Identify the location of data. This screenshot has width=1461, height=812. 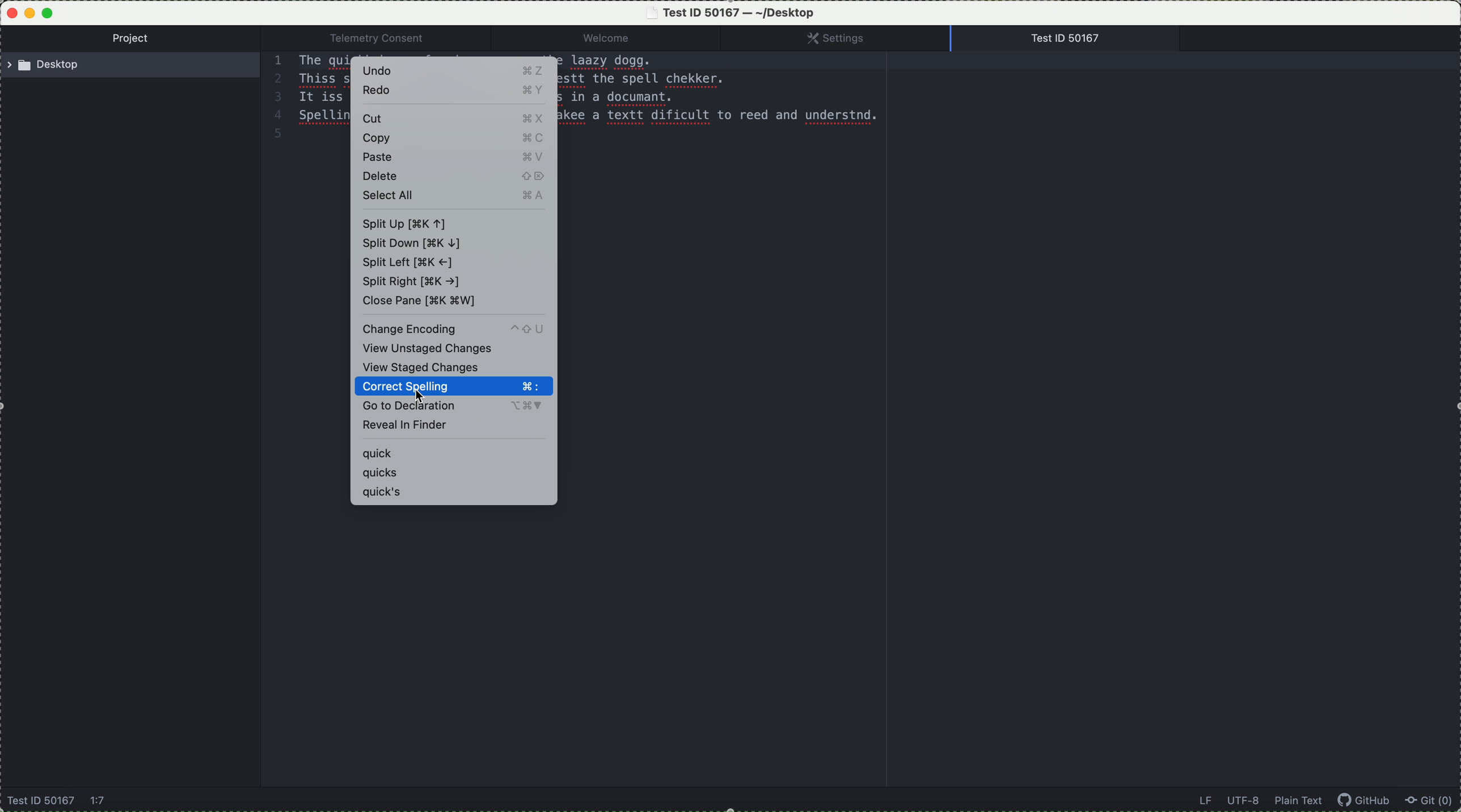
(1259, 801).